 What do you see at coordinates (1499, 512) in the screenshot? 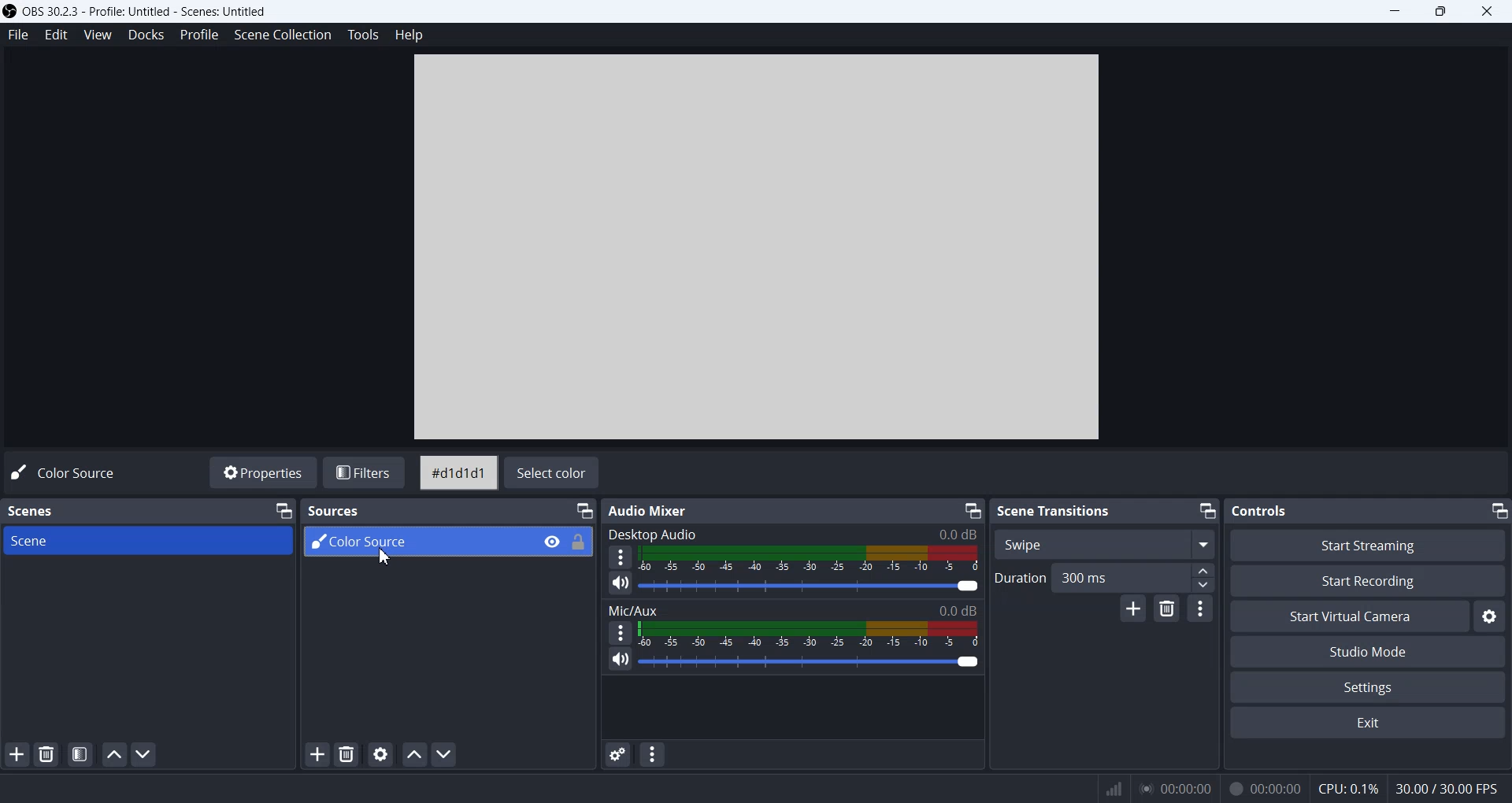
I see `Minimize` at bounding box center [1499, 512].